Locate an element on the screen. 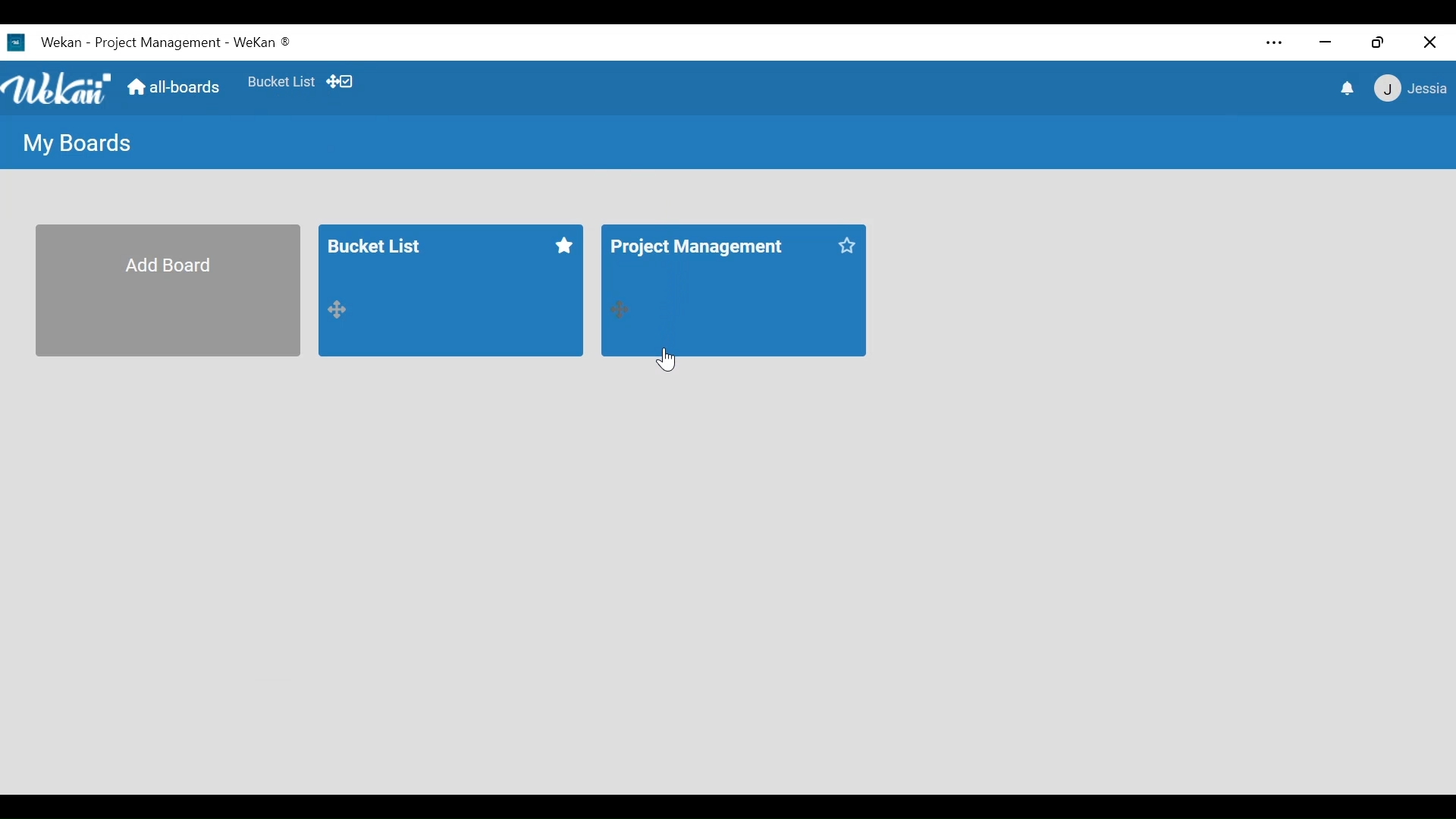 This screenshot has width=1456, height=819. notifications is located at coordinates (1348, 88).